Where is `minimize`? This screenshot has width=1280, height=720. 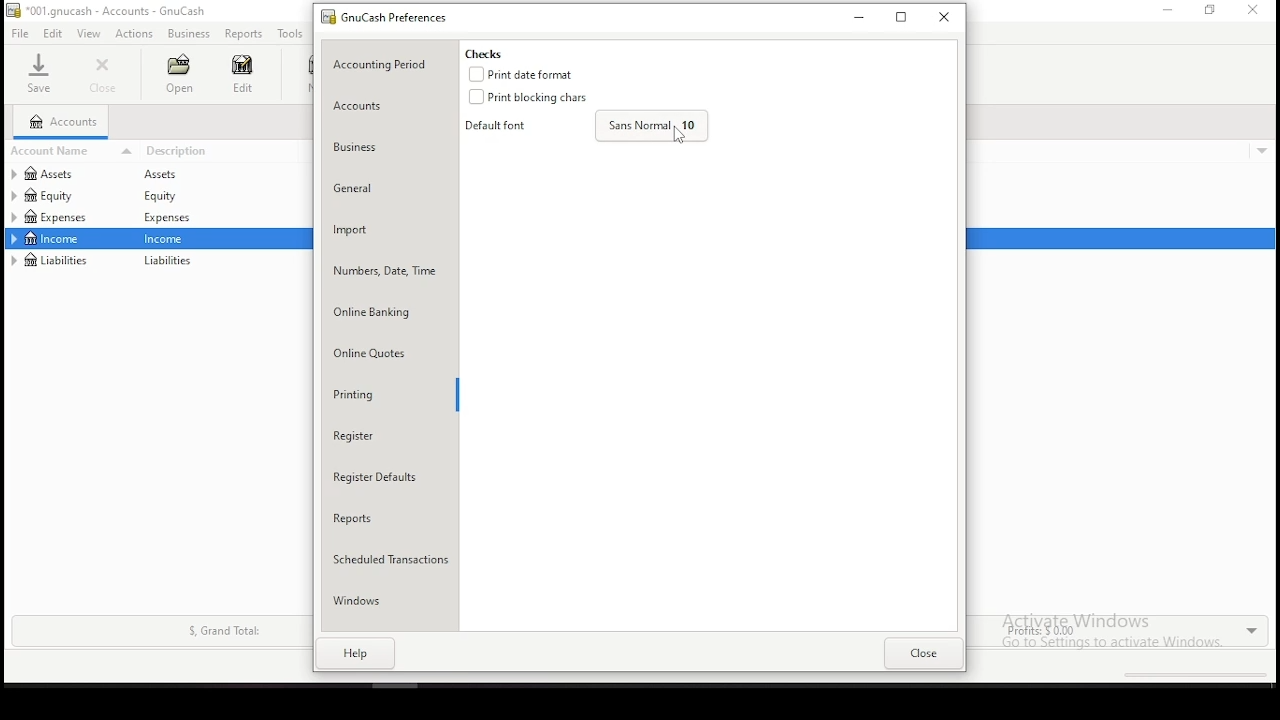 minimize is located at coordinates (1165, 10).